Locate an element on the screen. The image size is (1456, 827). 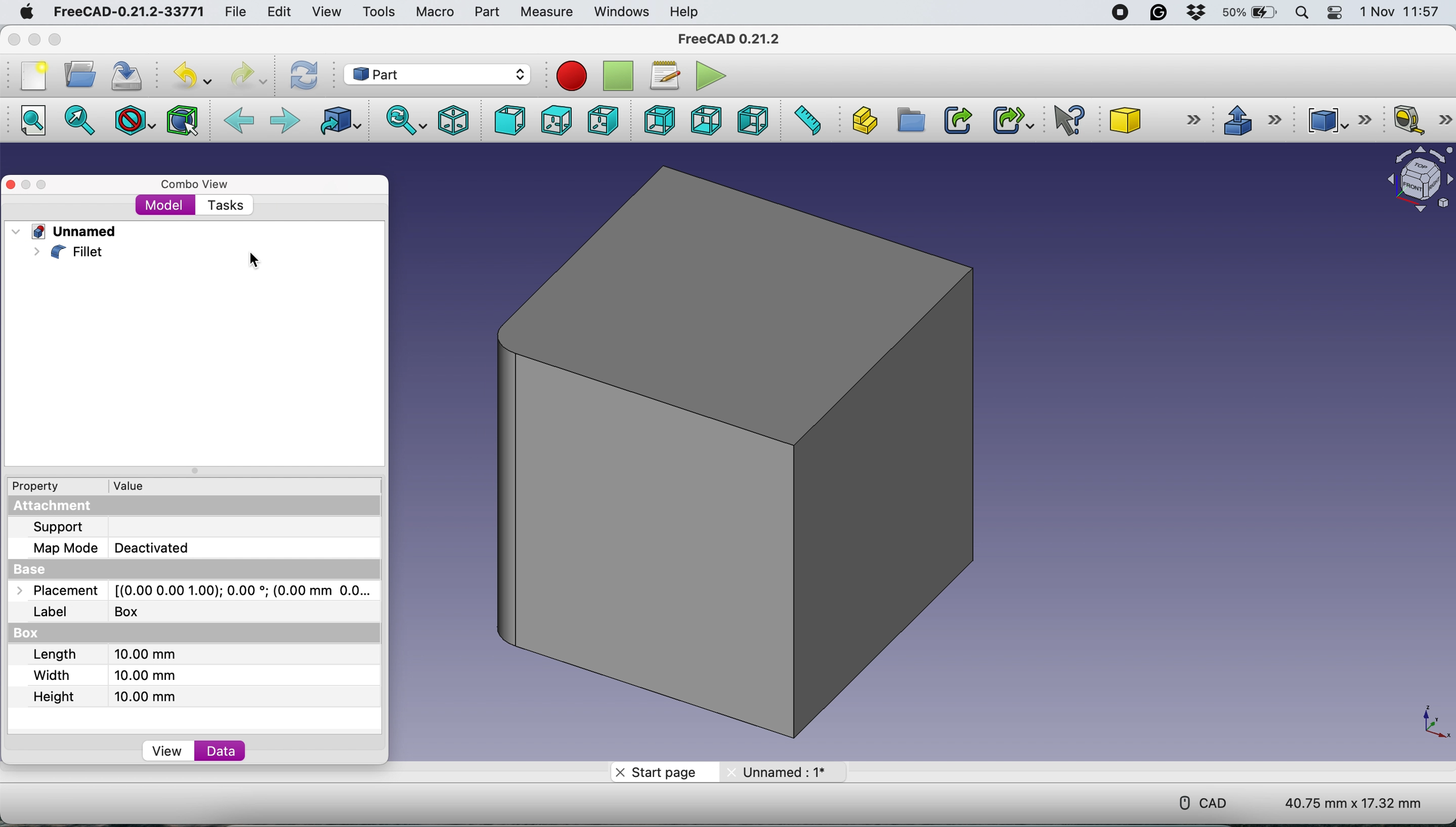
rear is located at coordinates (659, 120).